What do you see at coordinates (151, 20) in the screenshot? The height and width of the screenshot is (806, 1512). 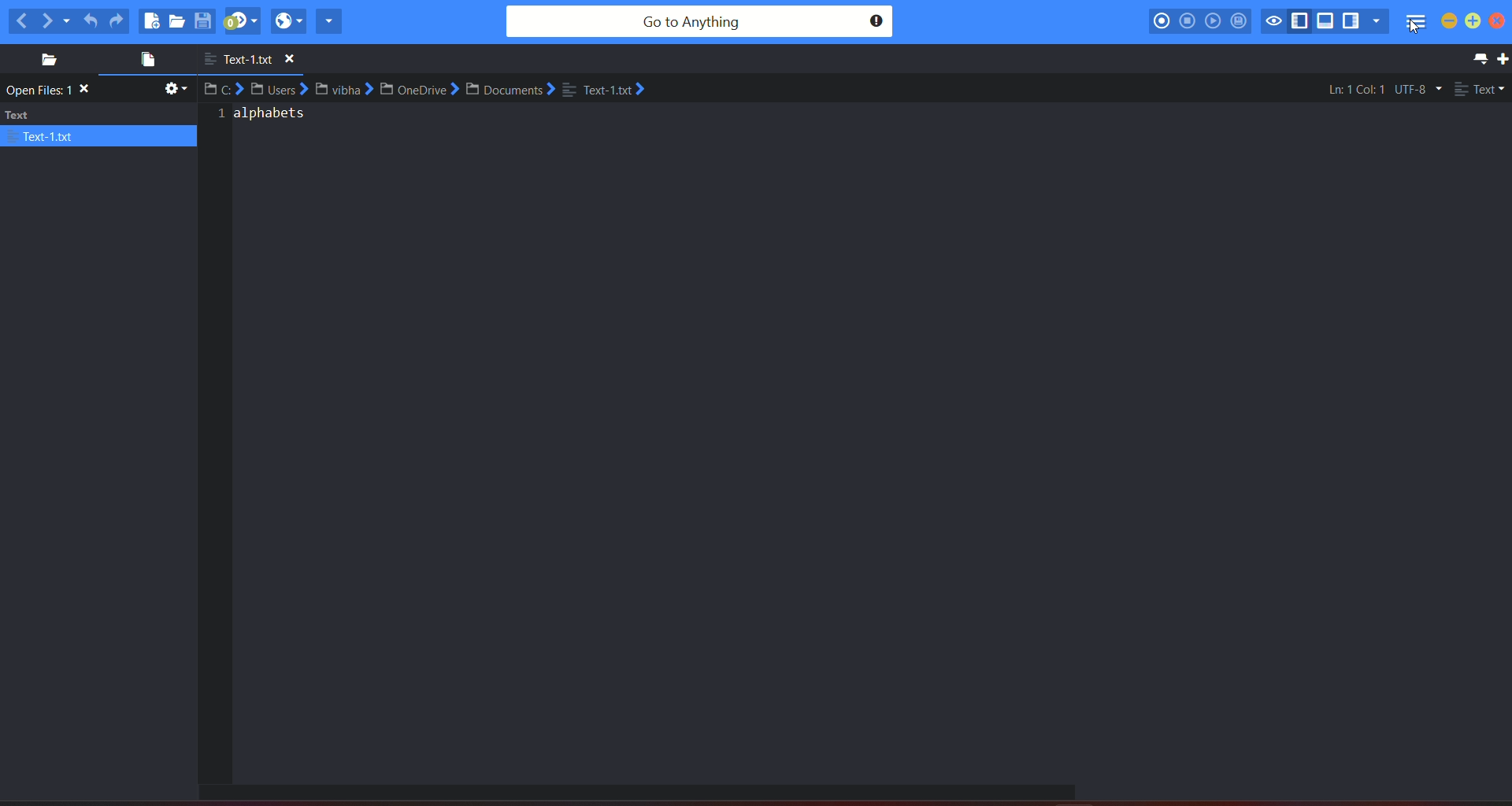 I see `new file` at bounding box center [151, 20].